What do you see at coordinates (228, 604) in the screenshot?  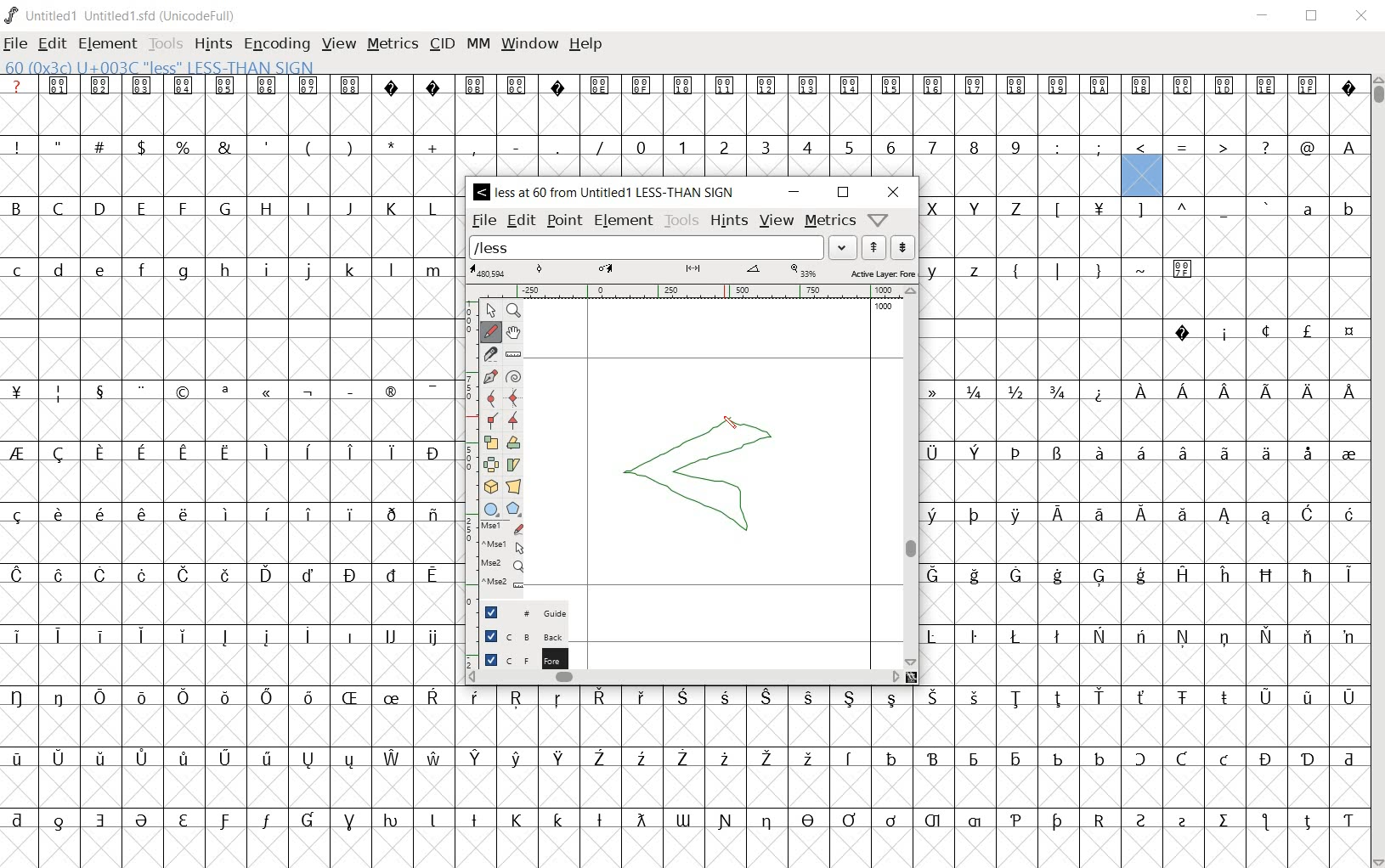 I see `empty cells` at bounding box center [228, 604].